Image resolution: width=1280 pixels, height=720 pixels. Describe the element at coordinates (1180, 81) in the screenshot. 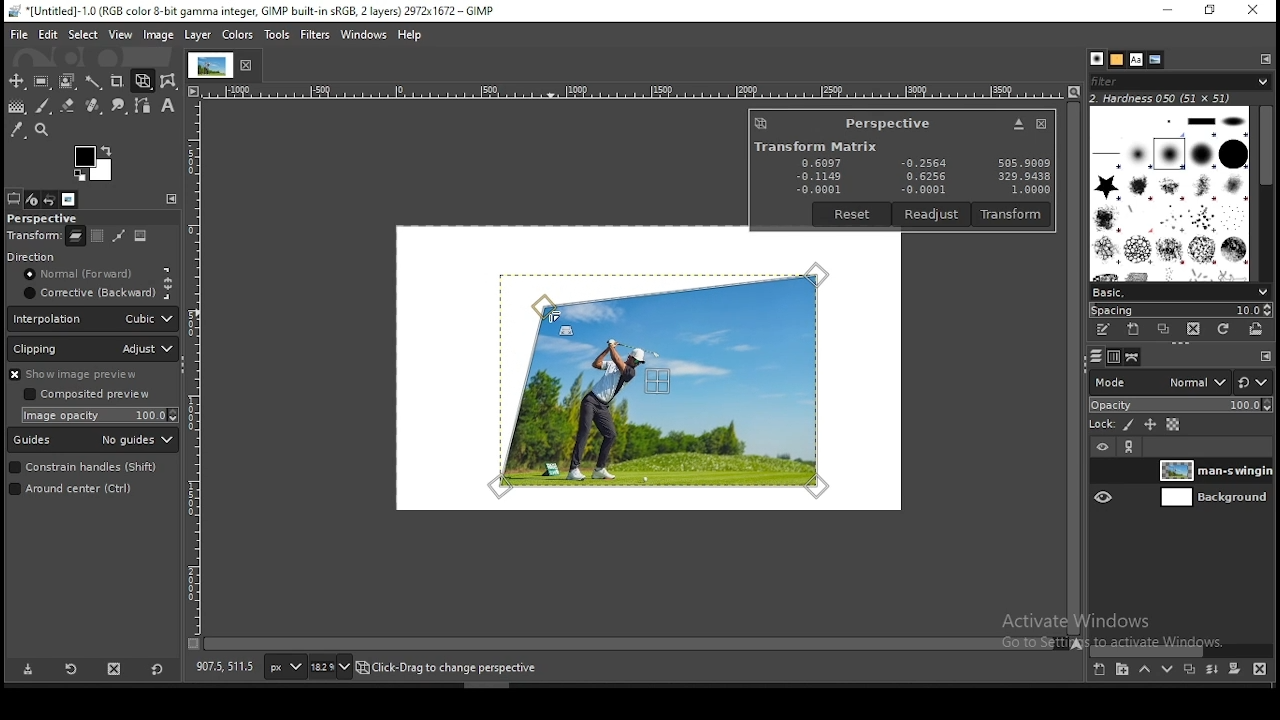

I see `brushes filter` at that location.